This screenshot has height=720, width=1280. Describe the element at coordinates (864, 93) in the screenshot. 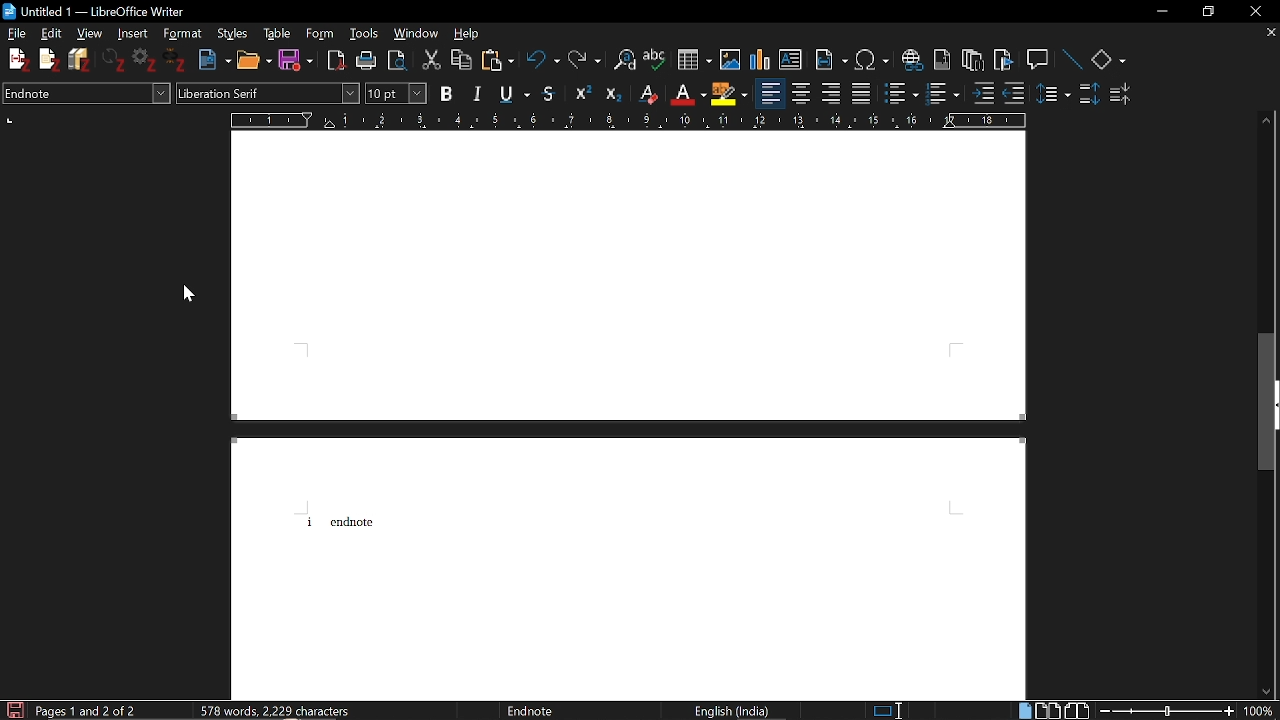

I see `Justified` at that location.